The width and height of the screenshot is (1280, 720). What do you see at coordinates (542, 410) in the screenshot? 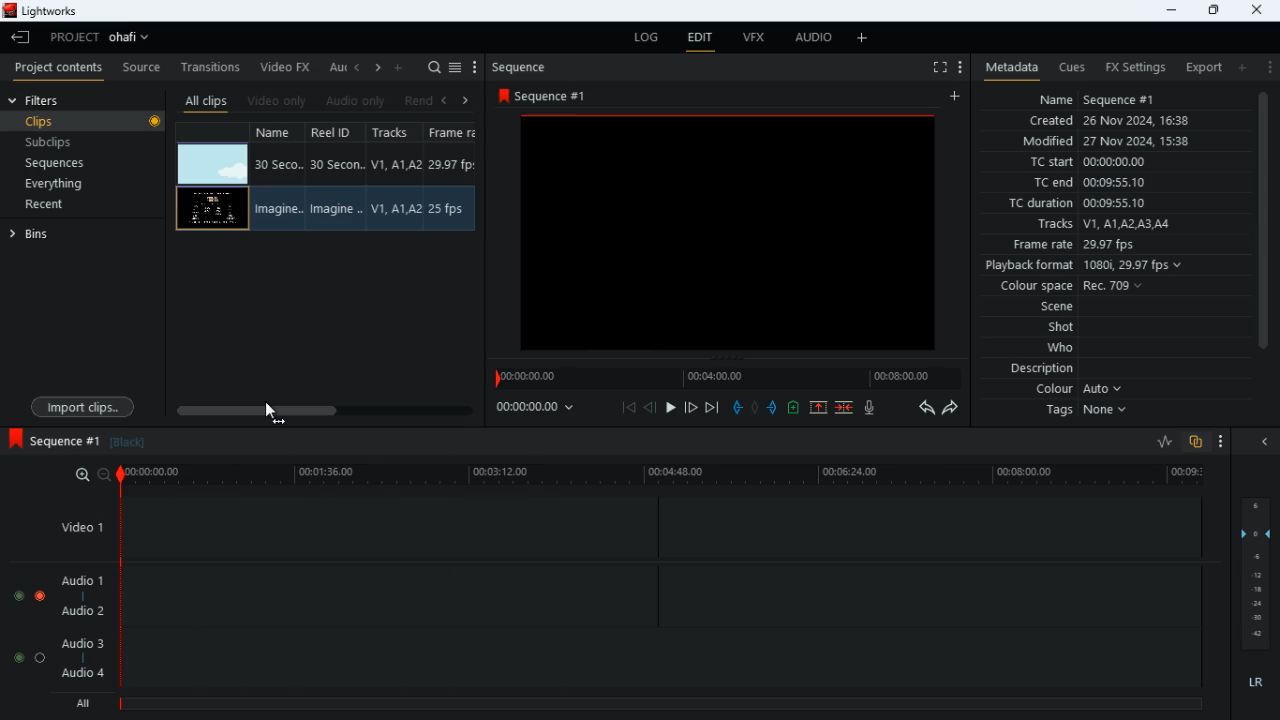
I see `time` at bounding box center [542, 410].